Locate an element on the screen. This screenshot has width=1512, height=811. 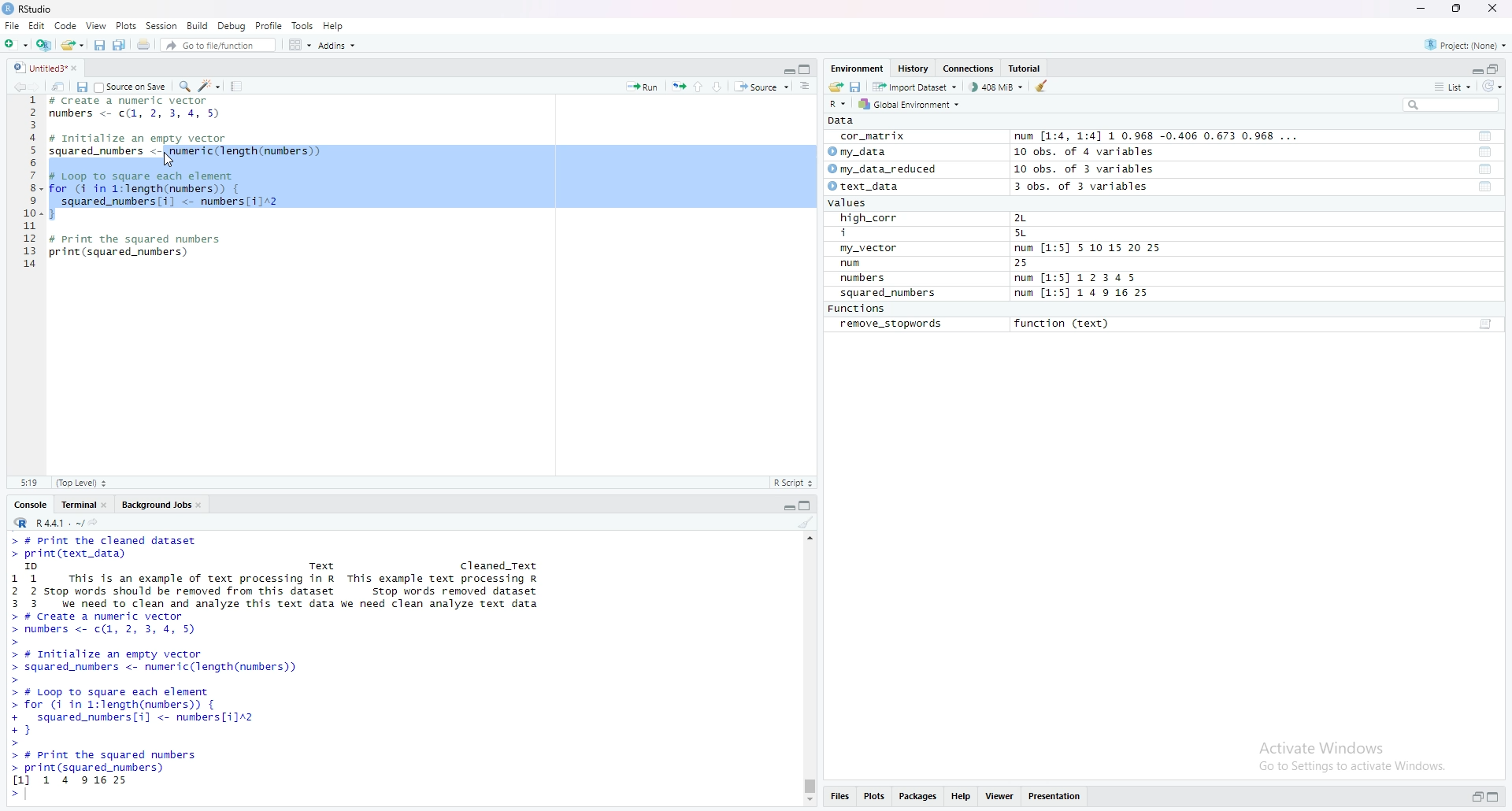
maximize is located at coordinates (1498, 798).